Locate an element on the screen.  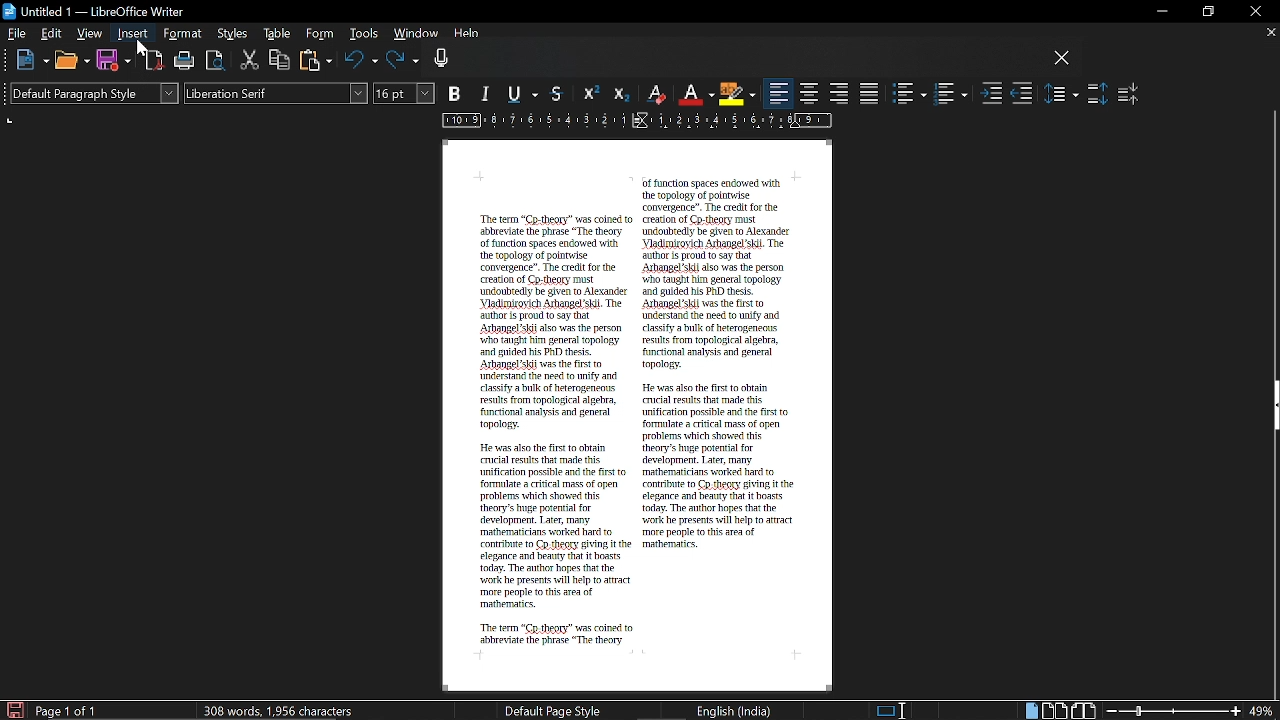
VOice input is located at coordinates (739, 61).